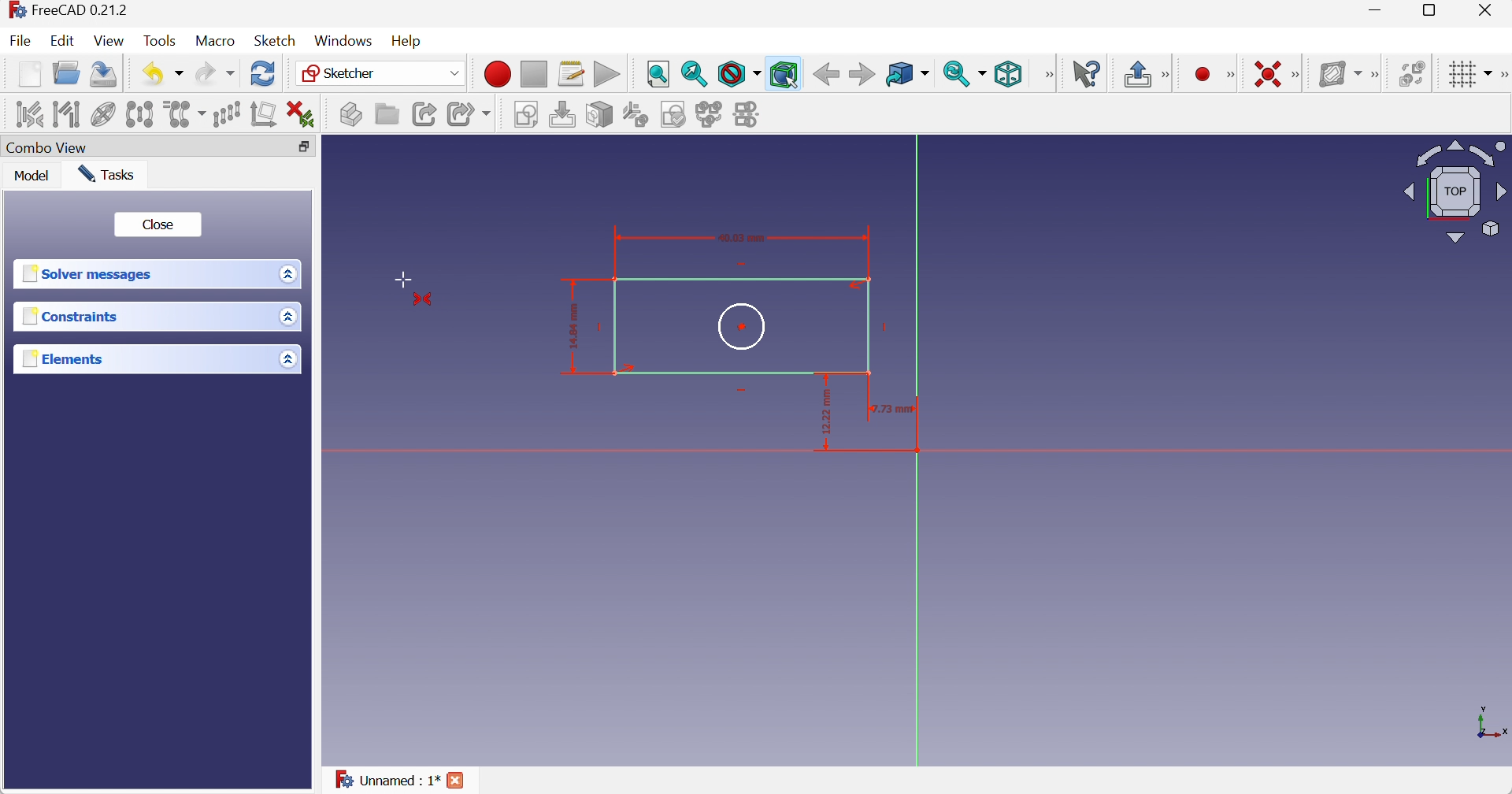  Describe the element at coordinates (1046, 75) in the screenshot. I see `[View]` at that location.